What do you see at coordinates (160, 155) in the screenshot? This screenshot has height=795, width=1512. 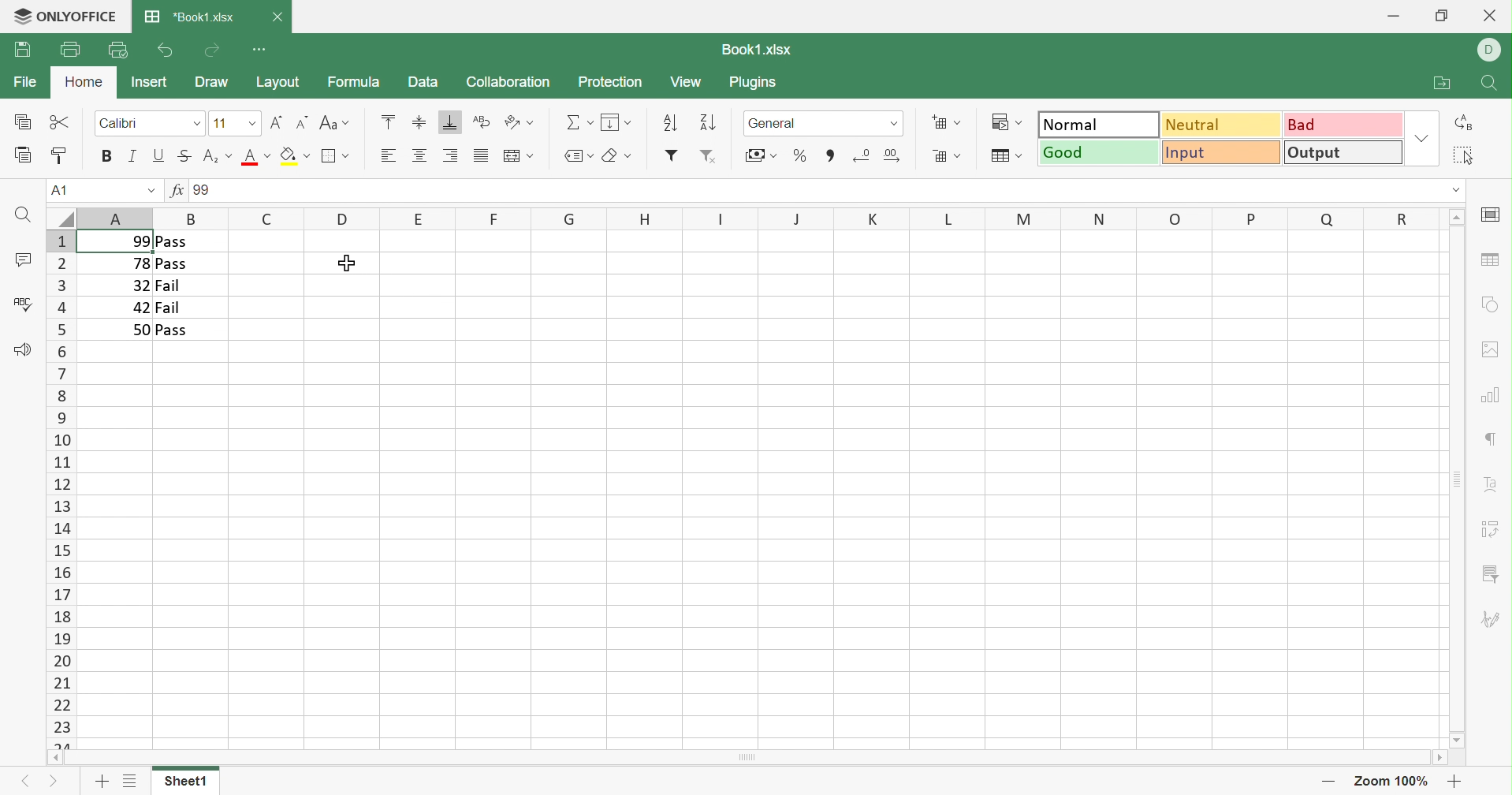 I see `Underline` at bounding box center [160, 155].